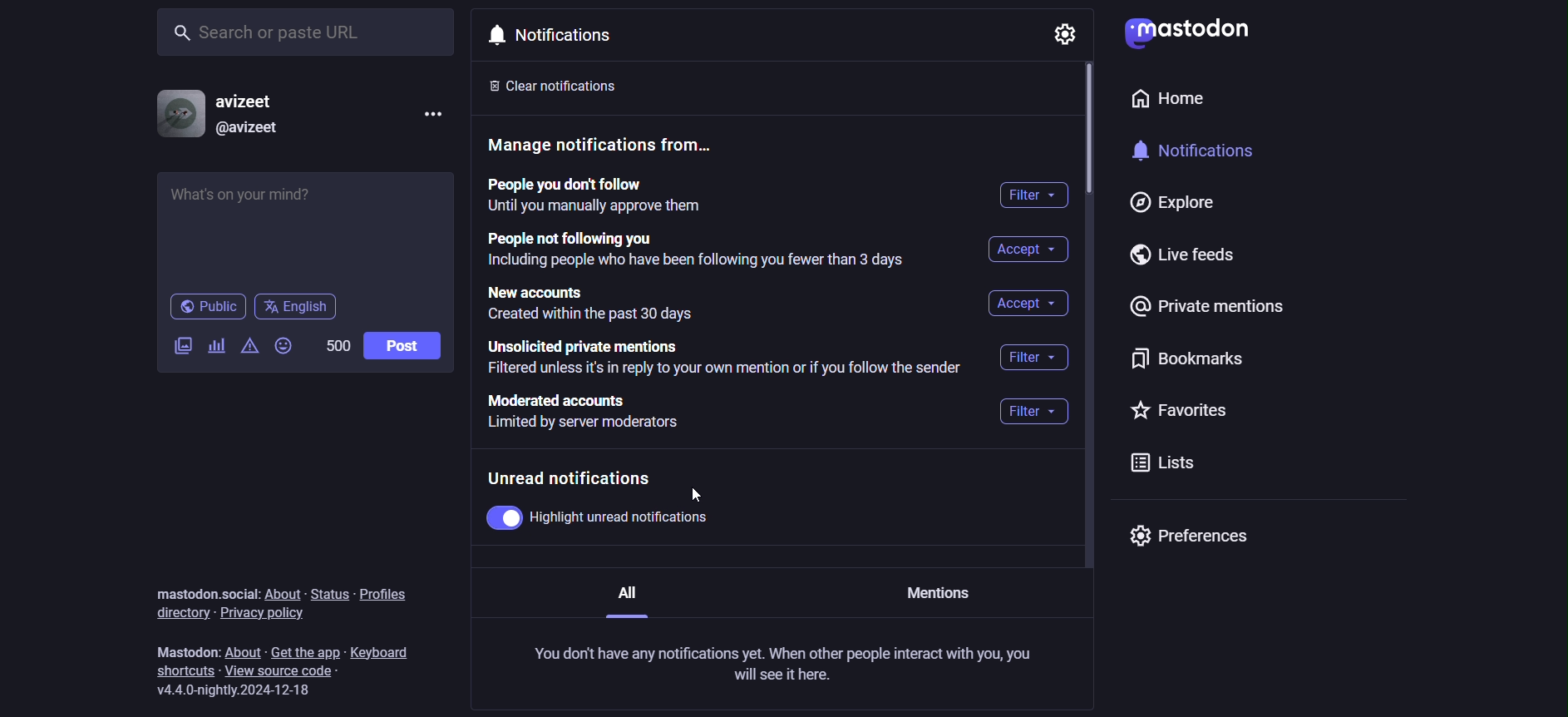 The height and width of the screenshot is (717, 1568). What do you see at coordinates (431, 111) in the screenshot?
I see `menu` at bounding box center [431, 111].